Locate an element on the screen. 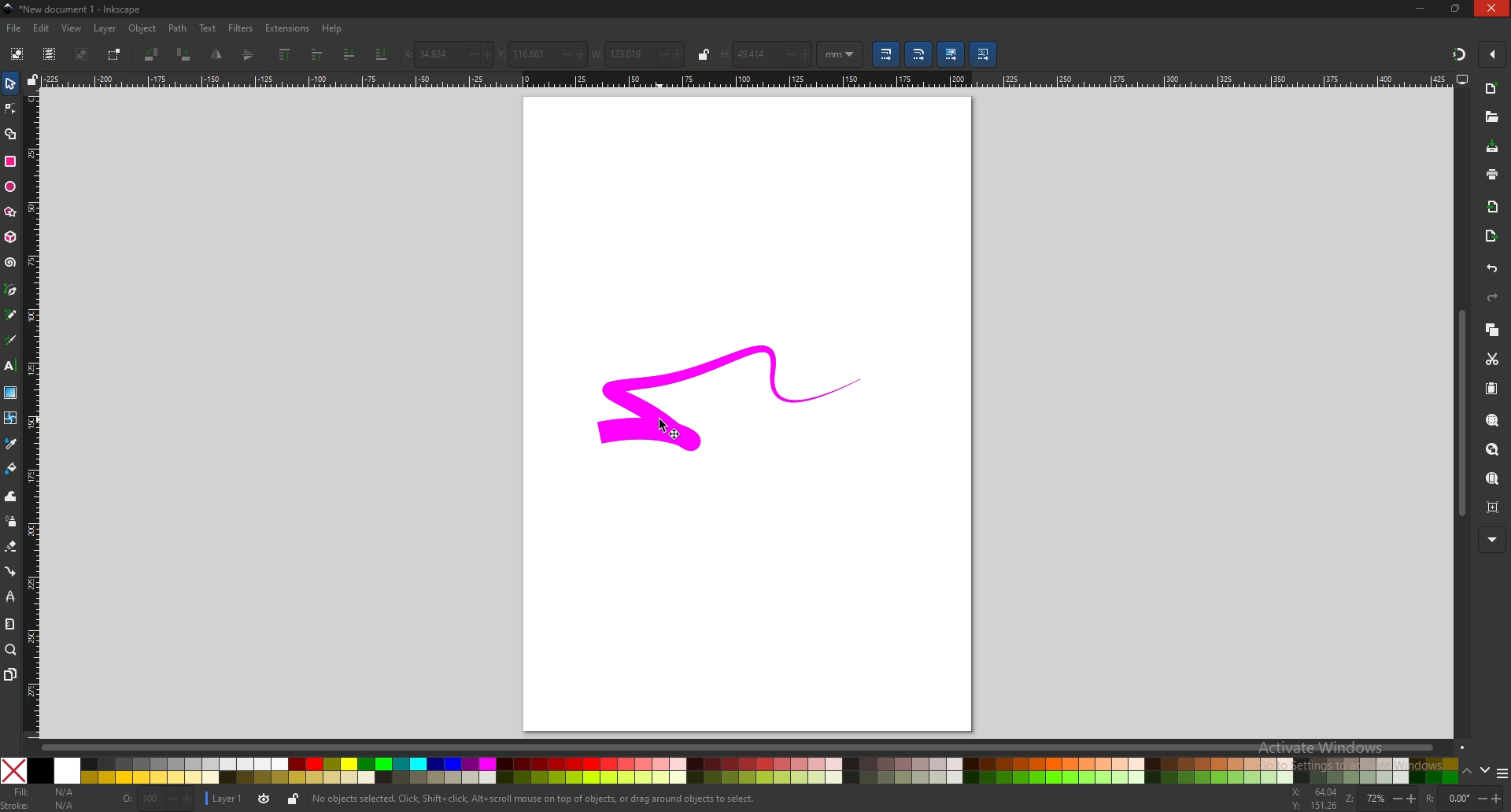 The image size is (1511, 812). lpe is located at coordinates (11, 597).